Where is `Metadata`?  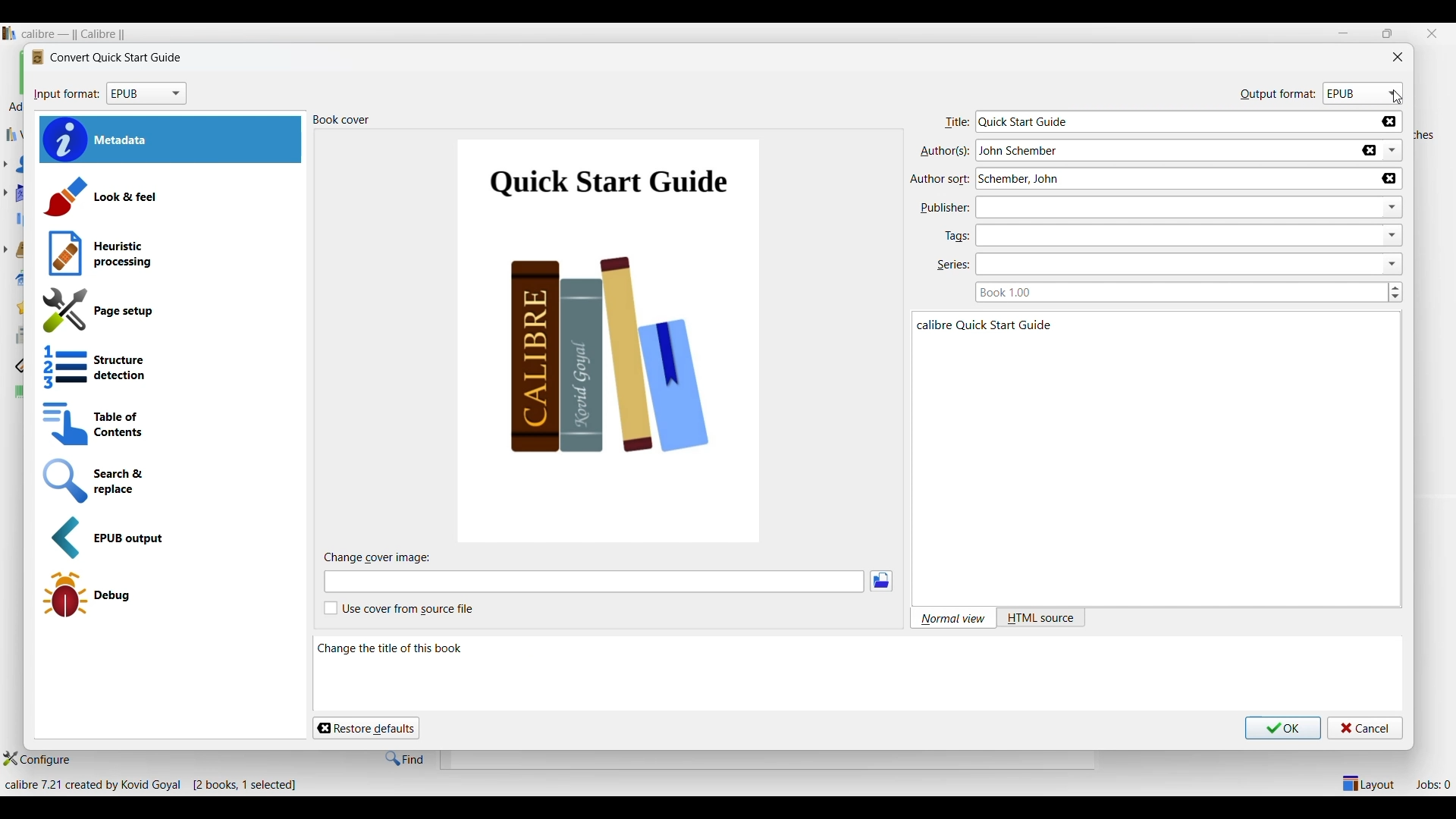 Metadata is located at coordinates (170, 140).